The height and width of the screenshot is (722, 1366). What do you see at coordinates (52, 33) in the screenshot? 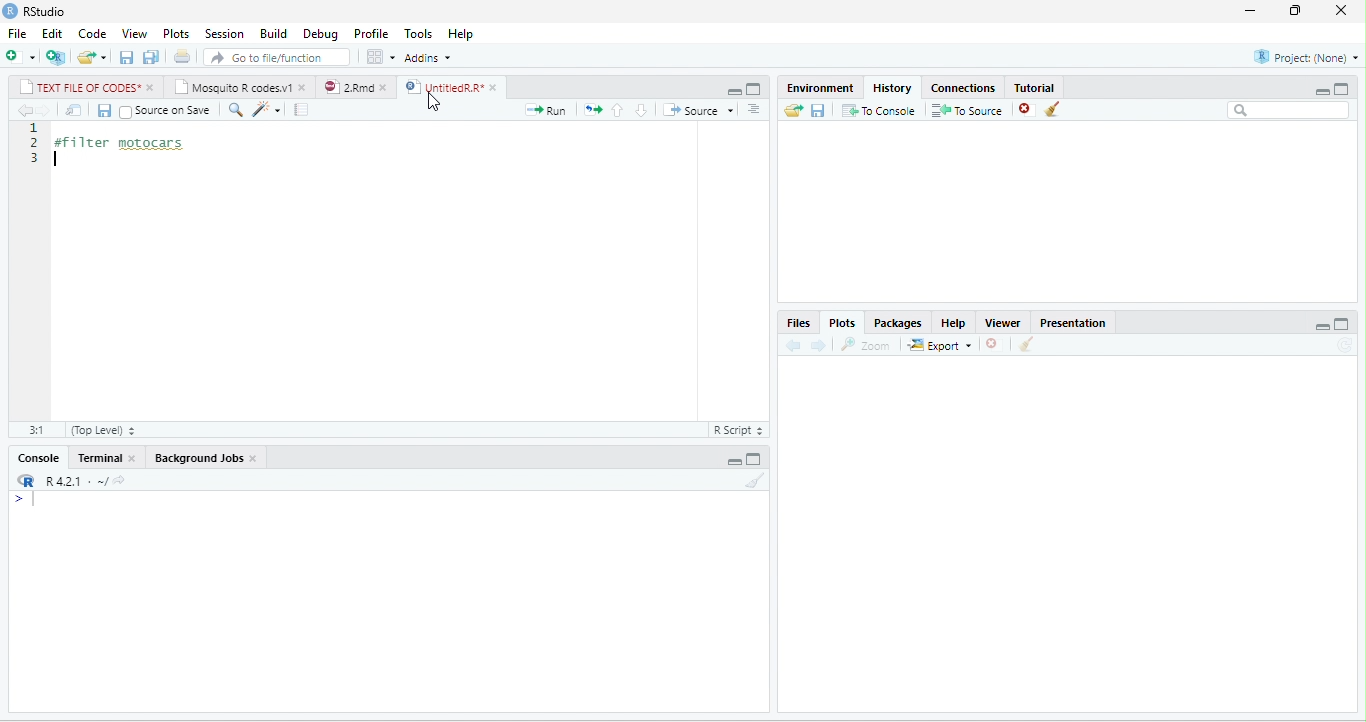
I see `Edit` at bounding box center [52, 33].